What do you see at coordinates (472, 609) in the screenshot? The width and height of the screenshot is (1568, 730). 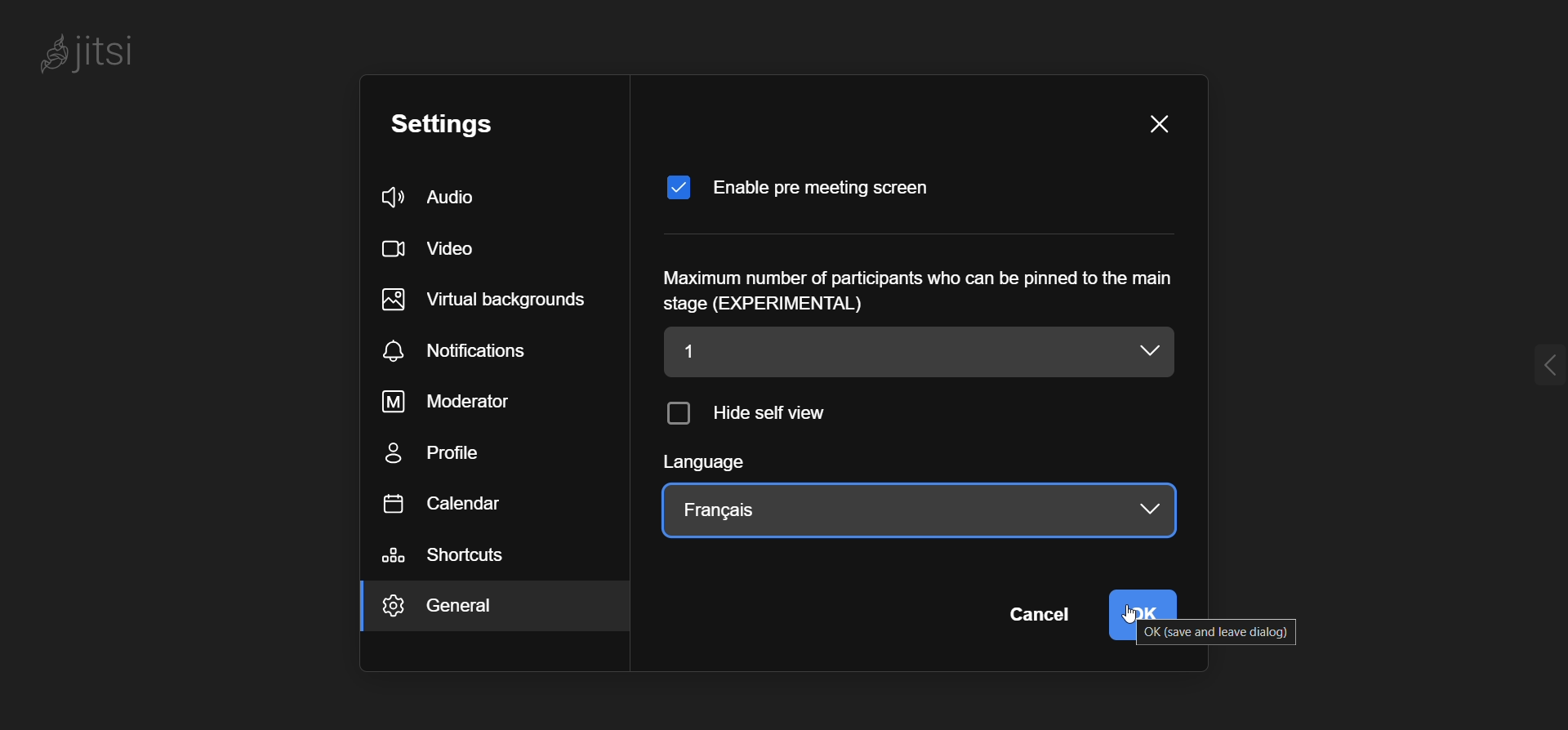 I see `General` at bounding box center [472, 609].